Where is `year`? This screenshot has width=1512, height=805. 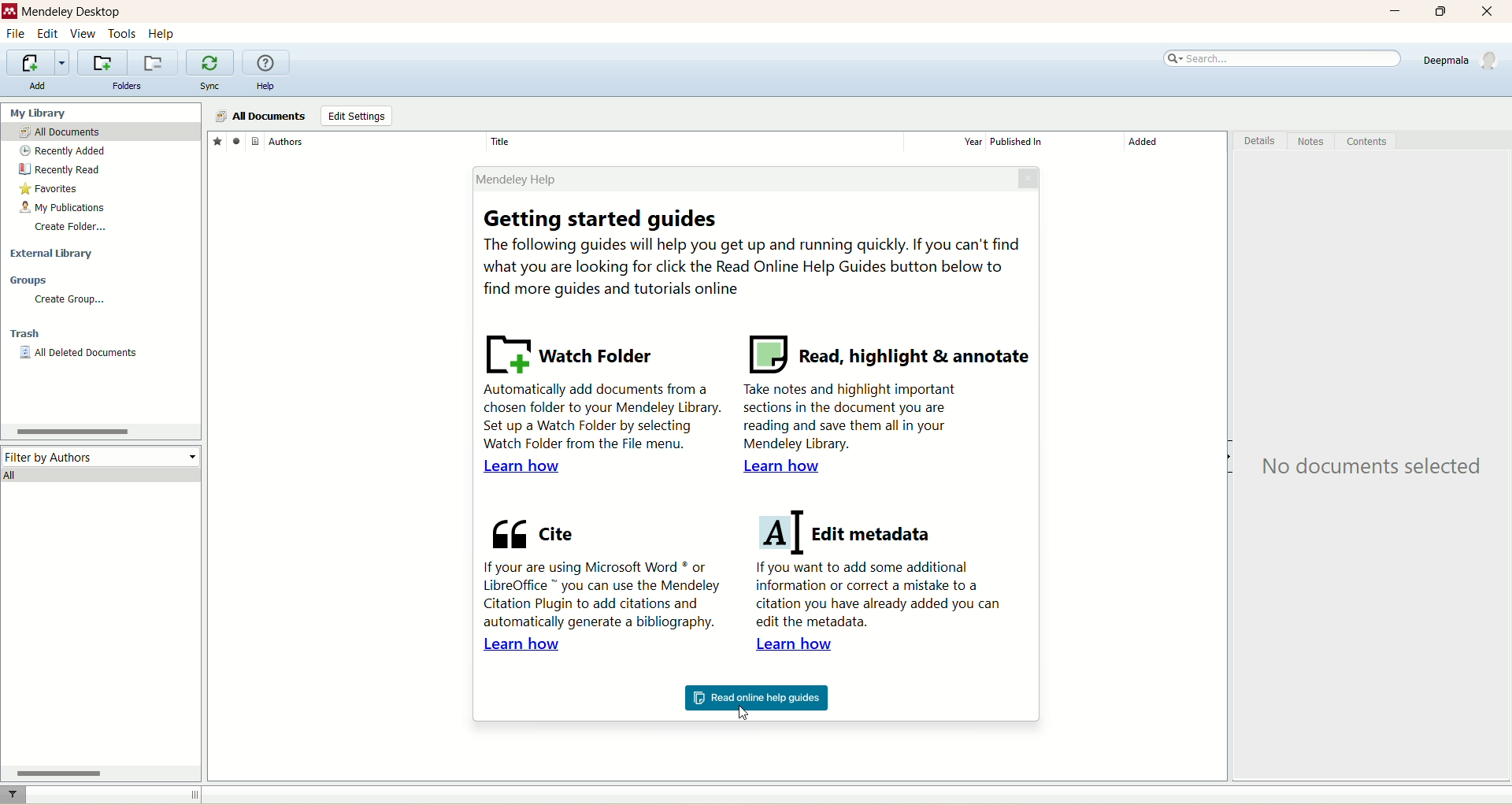 year is located at coordinates (947, 141).